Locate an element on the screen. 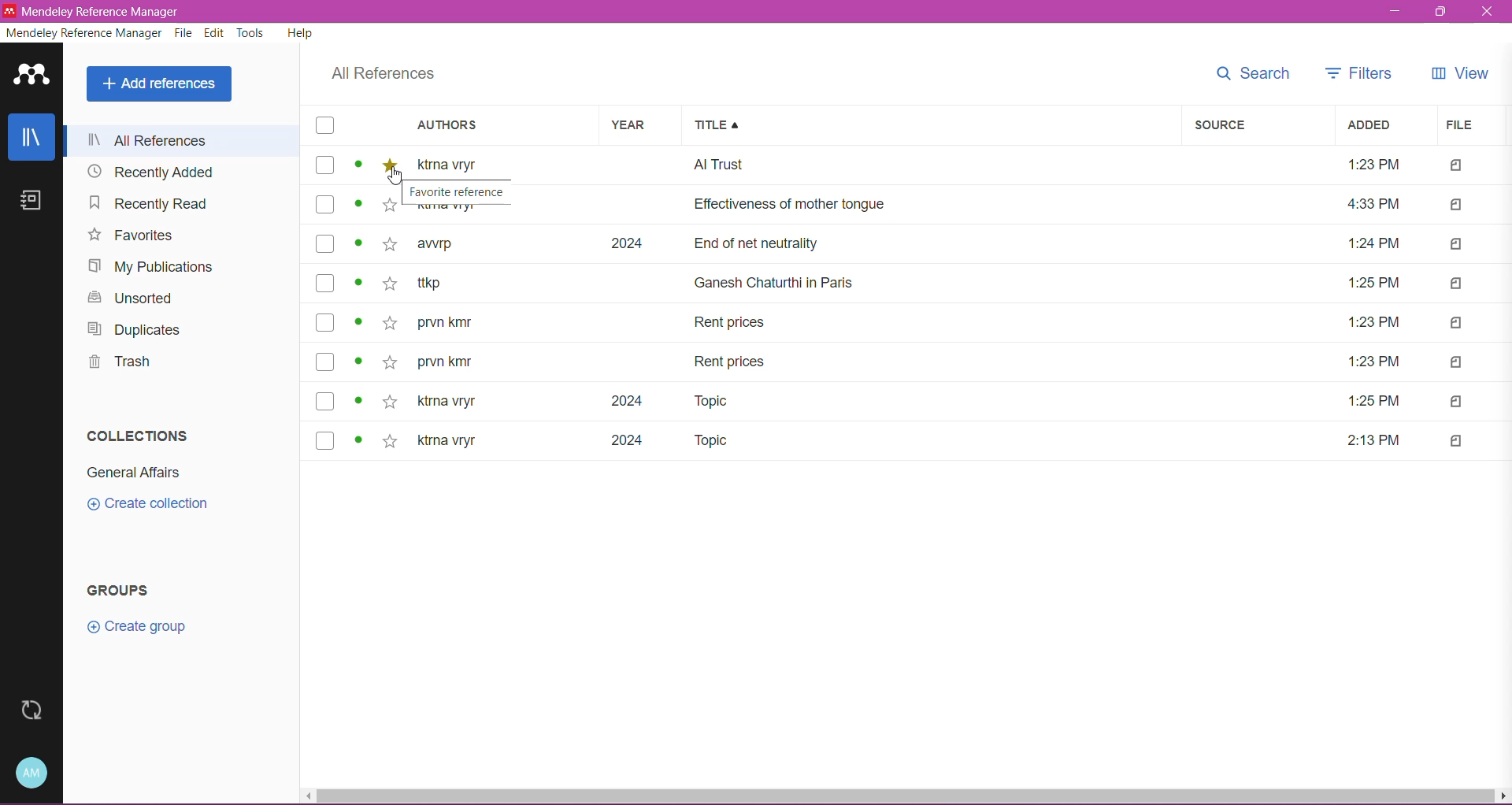  Click to select is located at coordinates (325, 165).